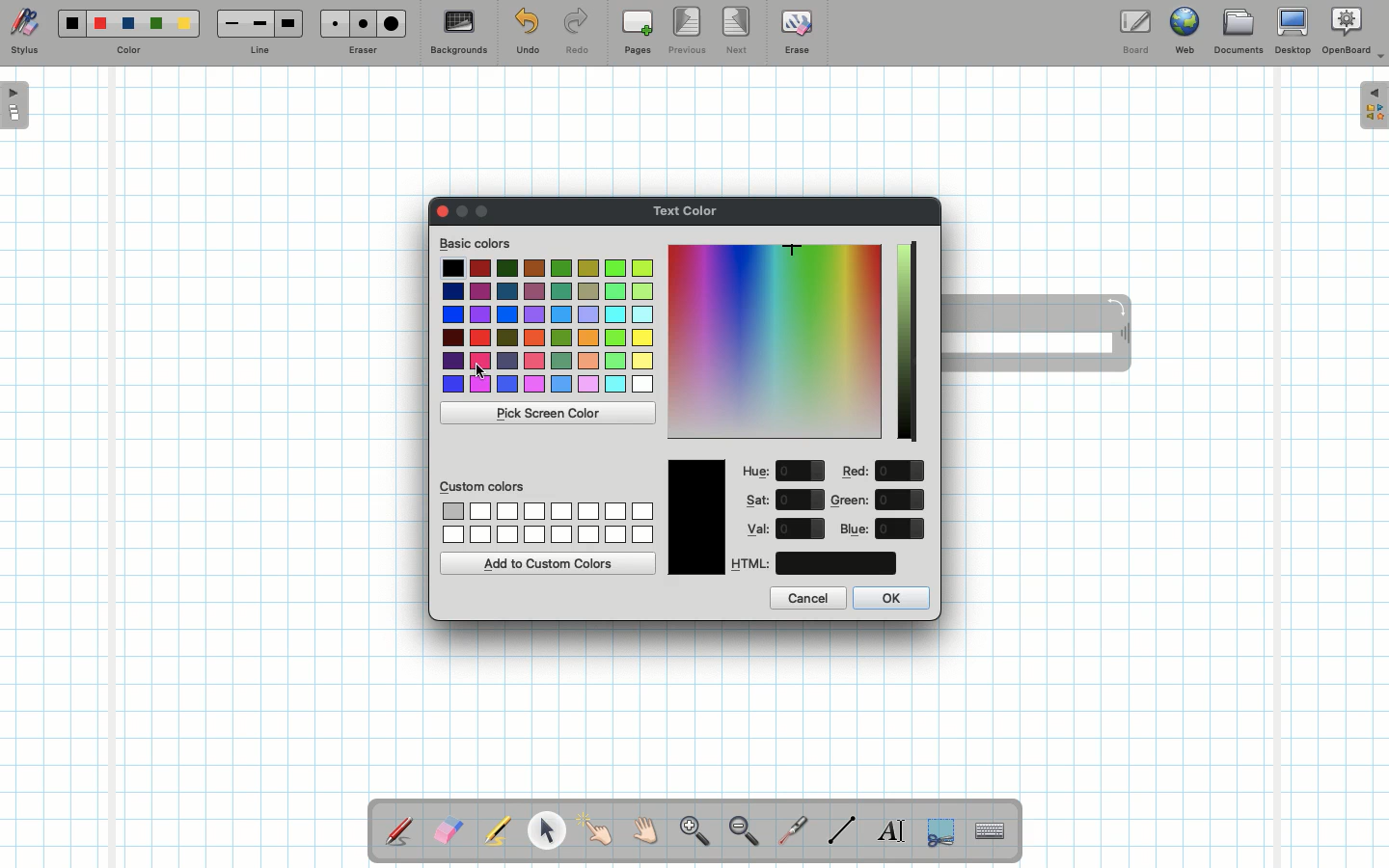 This screenshot has height=868, width=1389. I want to click on Pages, so click(638, 34).